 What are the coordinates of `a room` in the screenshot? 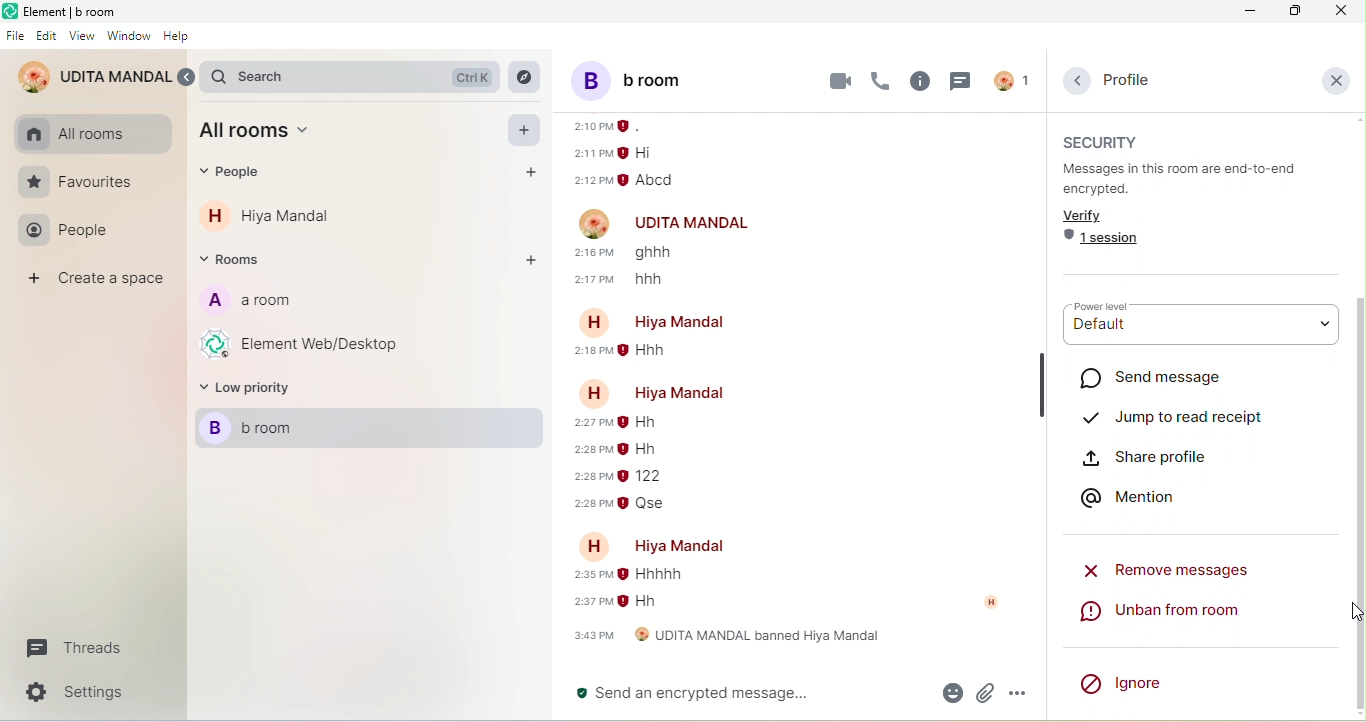 It's located at (247, 303).